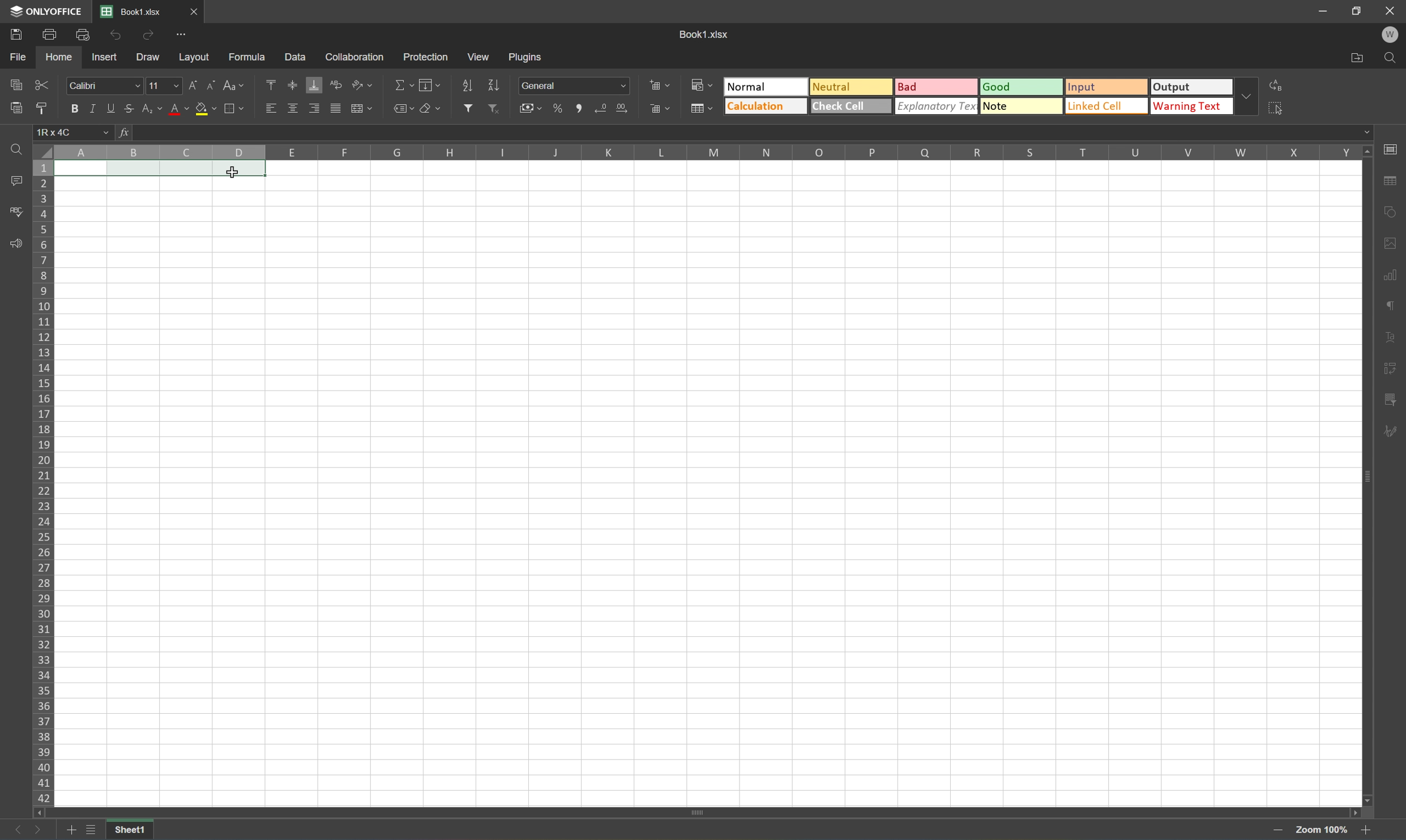 The width and height of the screenshot is (1406, 840). I want to click on Copy style, so click(43, 108).